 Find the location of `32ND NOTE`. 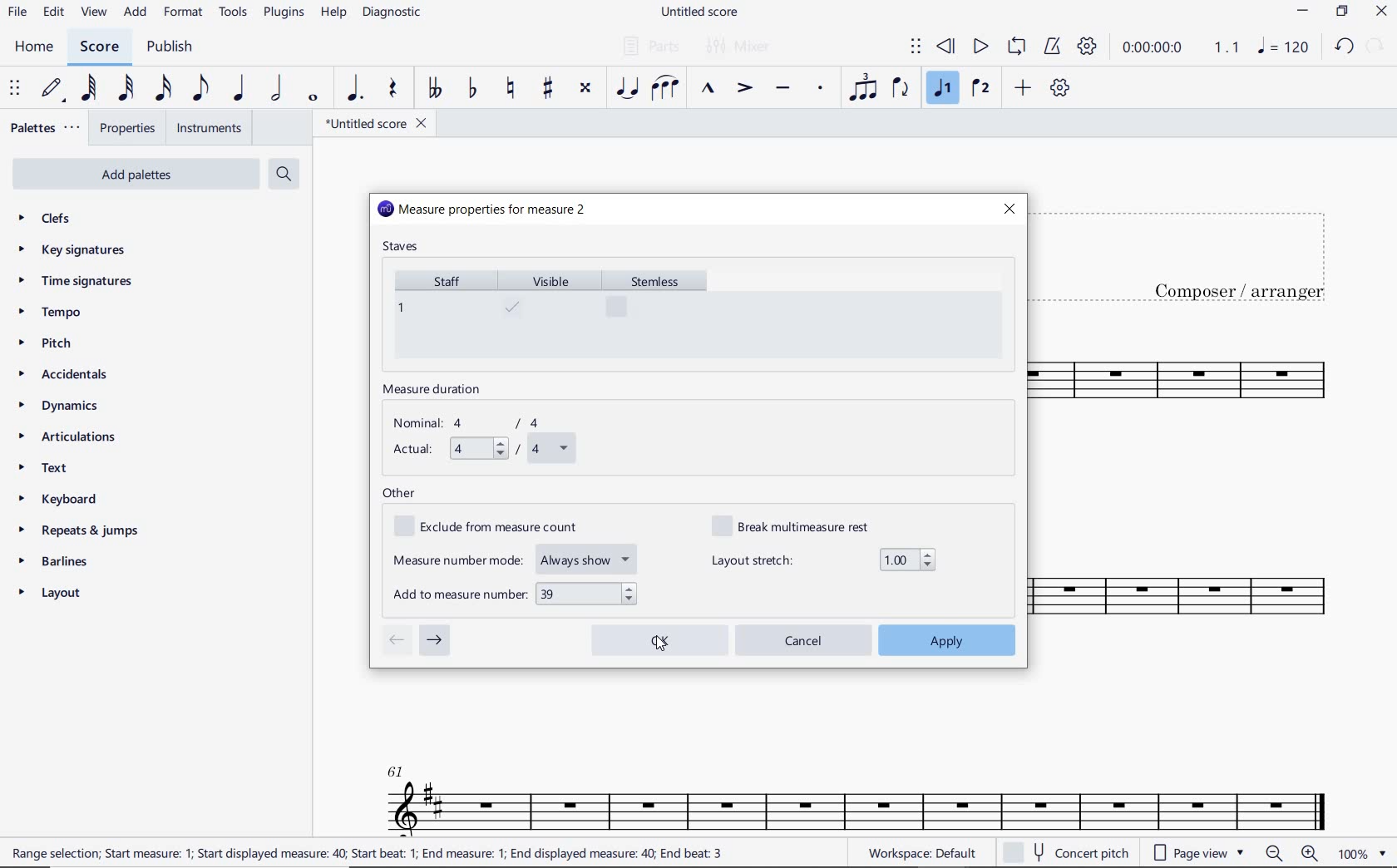

32ND NOTE is located at coordinates (126, 89).